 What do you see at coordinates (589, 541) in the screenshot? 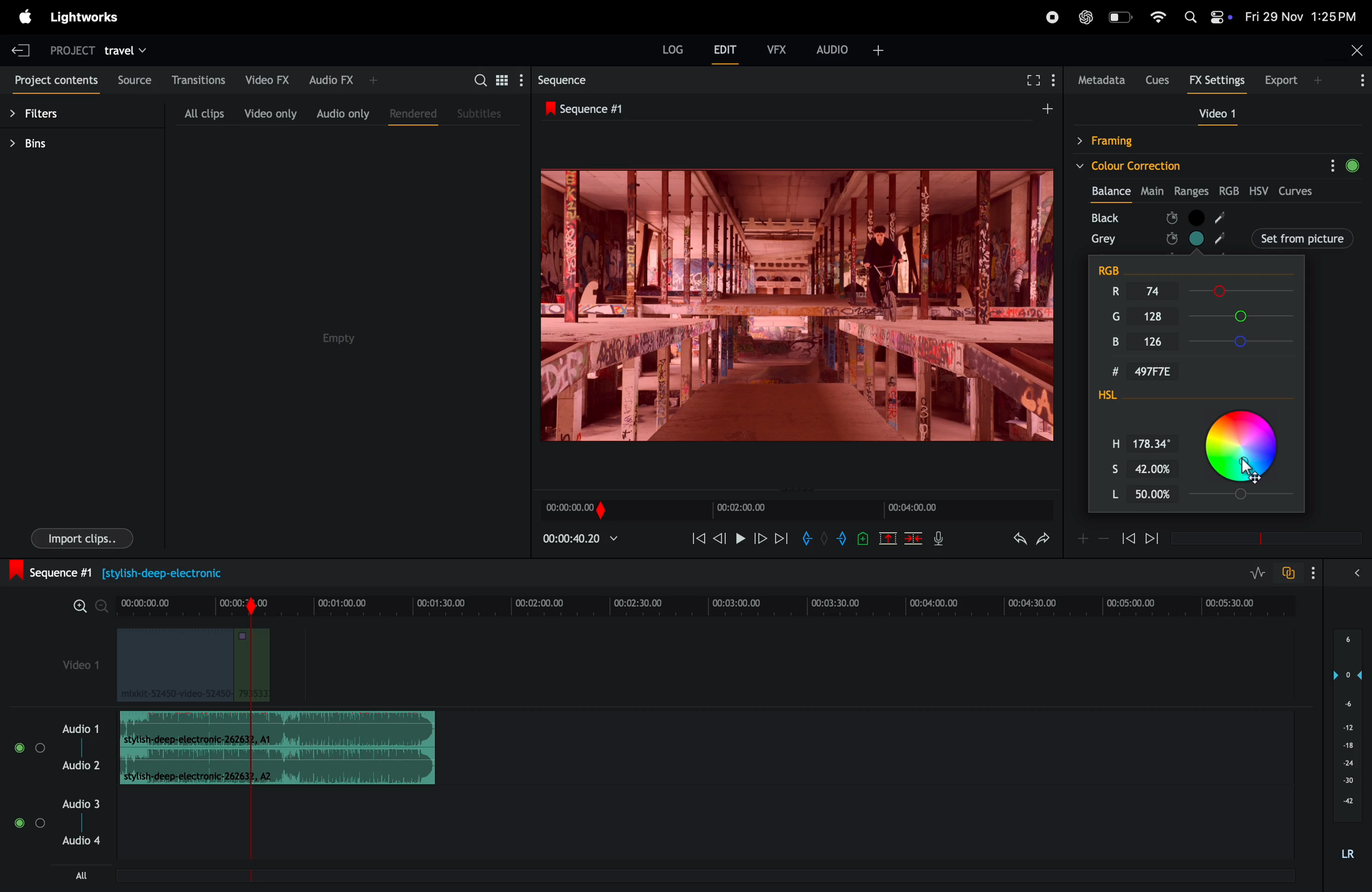
I see `playback time` at bounding box center [589, 541].